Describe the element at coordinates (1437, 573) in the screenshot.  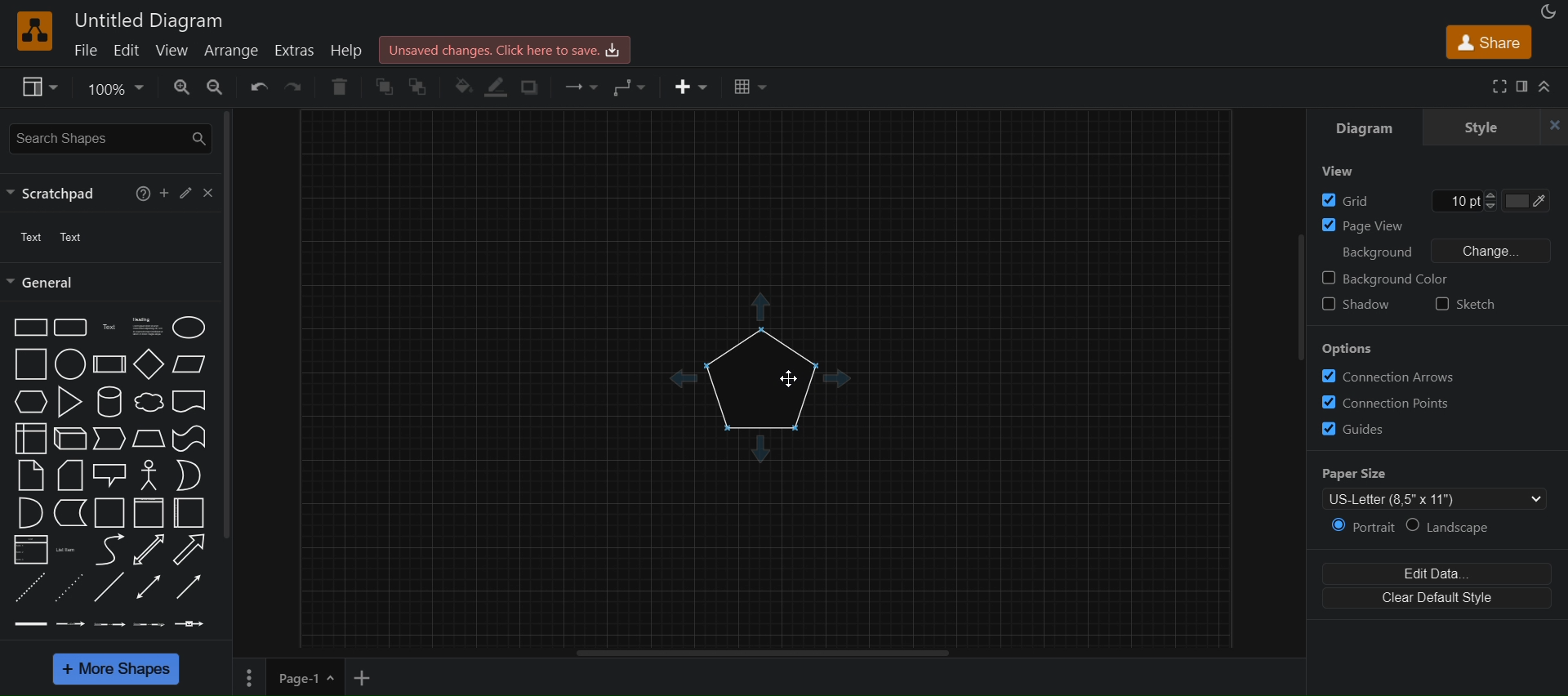
I see `edit data` at that location.